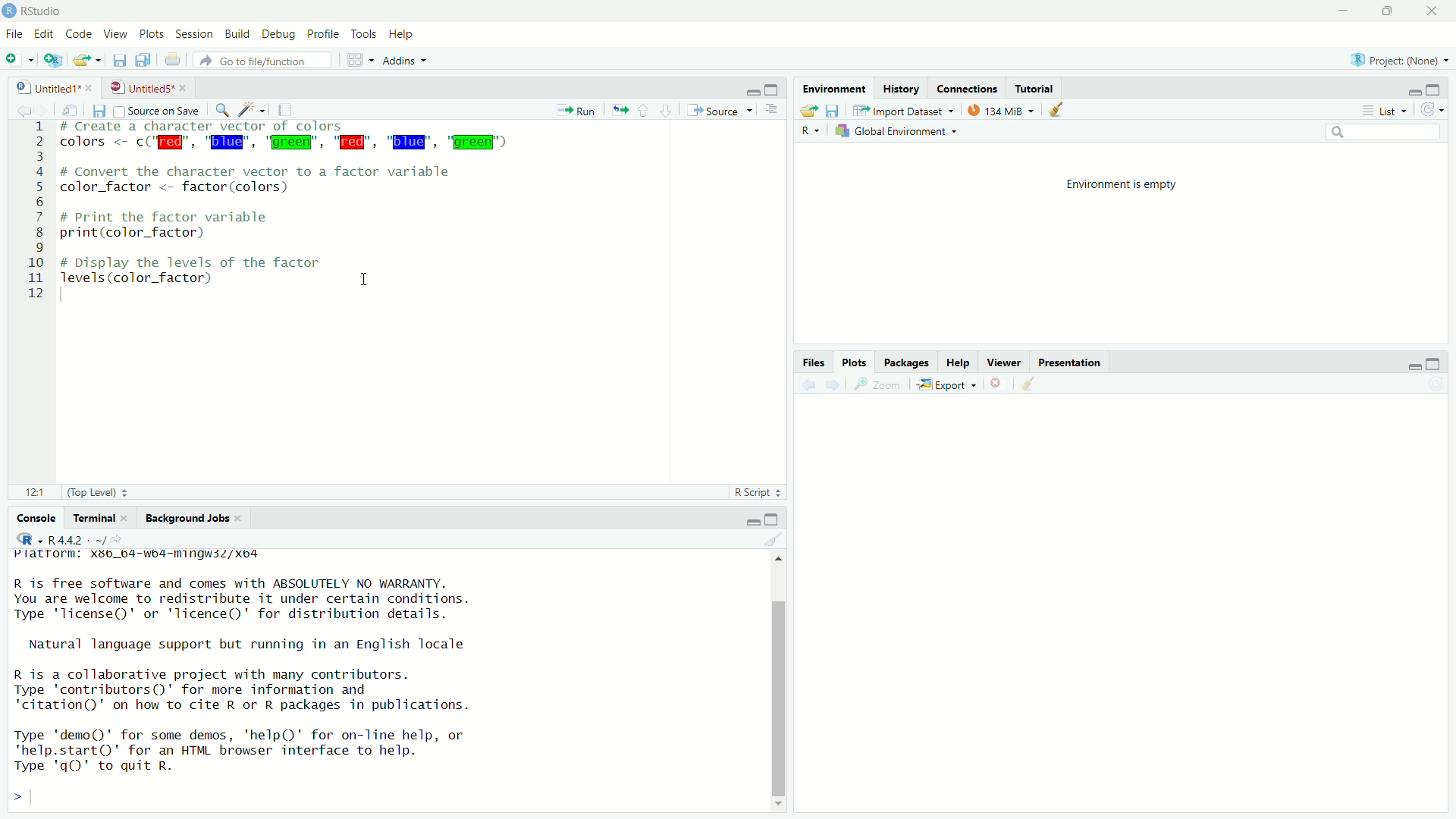 Image resolution: width=1456 pixels, height=819 pixels. I want to click on session, so click(195, 34).